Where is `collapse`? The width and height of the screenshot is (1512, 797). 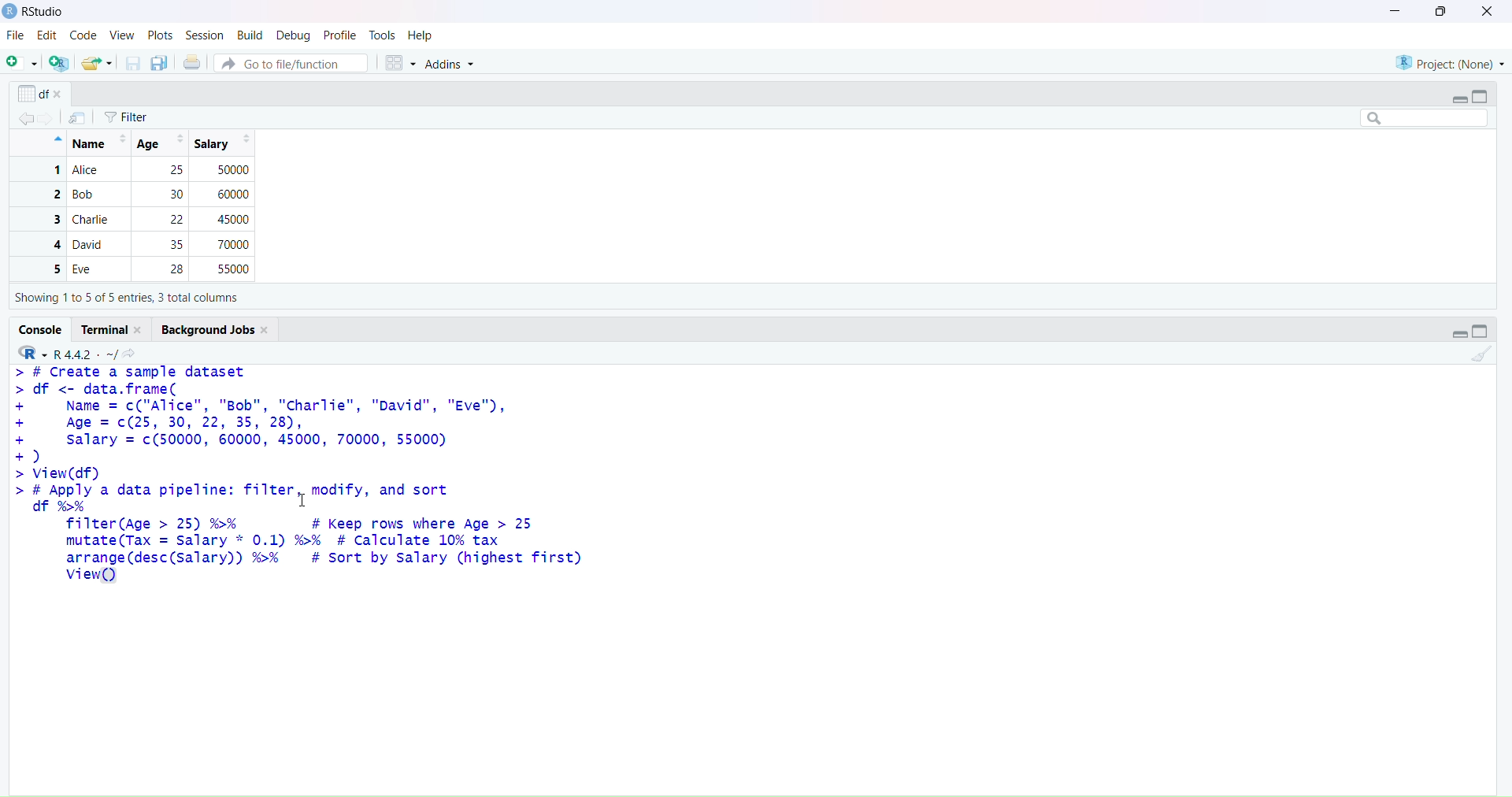 collapse is located at coordinates (1483, 332).